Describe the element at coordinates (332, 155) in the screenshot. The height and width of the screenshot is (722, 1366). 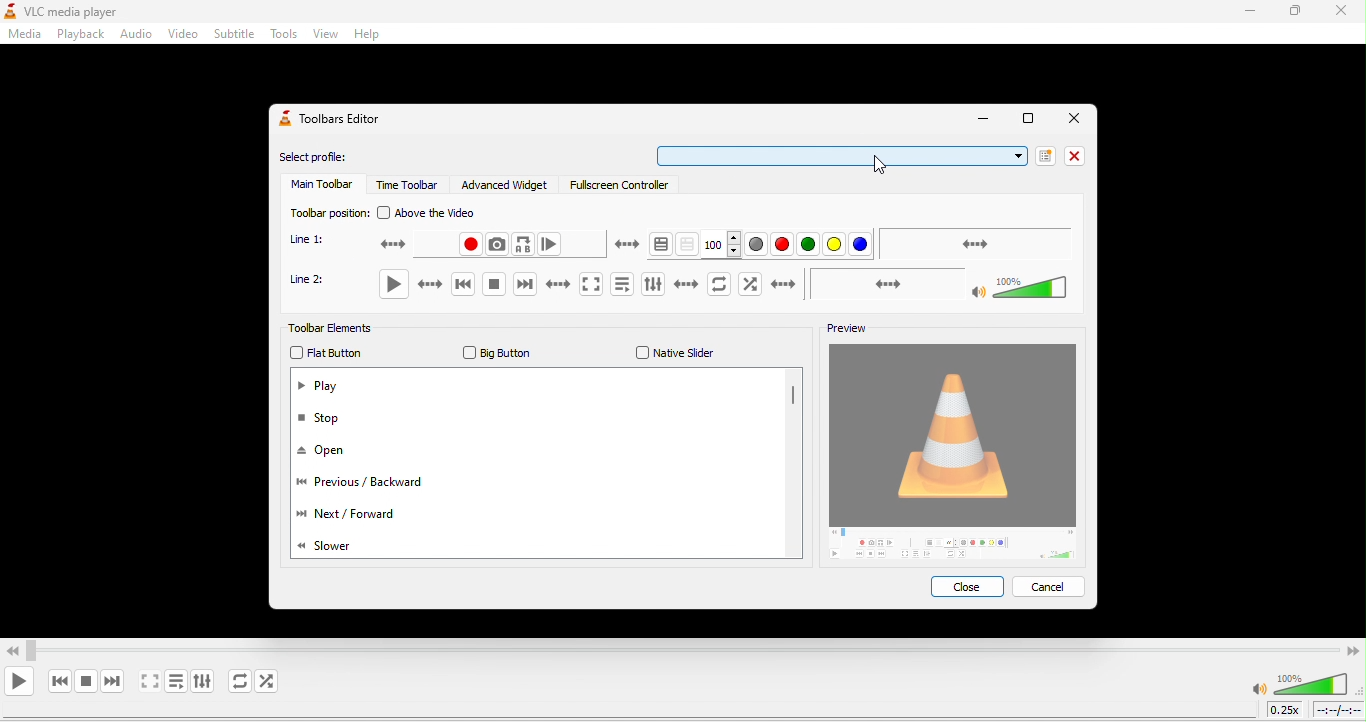
I see `select profile` at that location.